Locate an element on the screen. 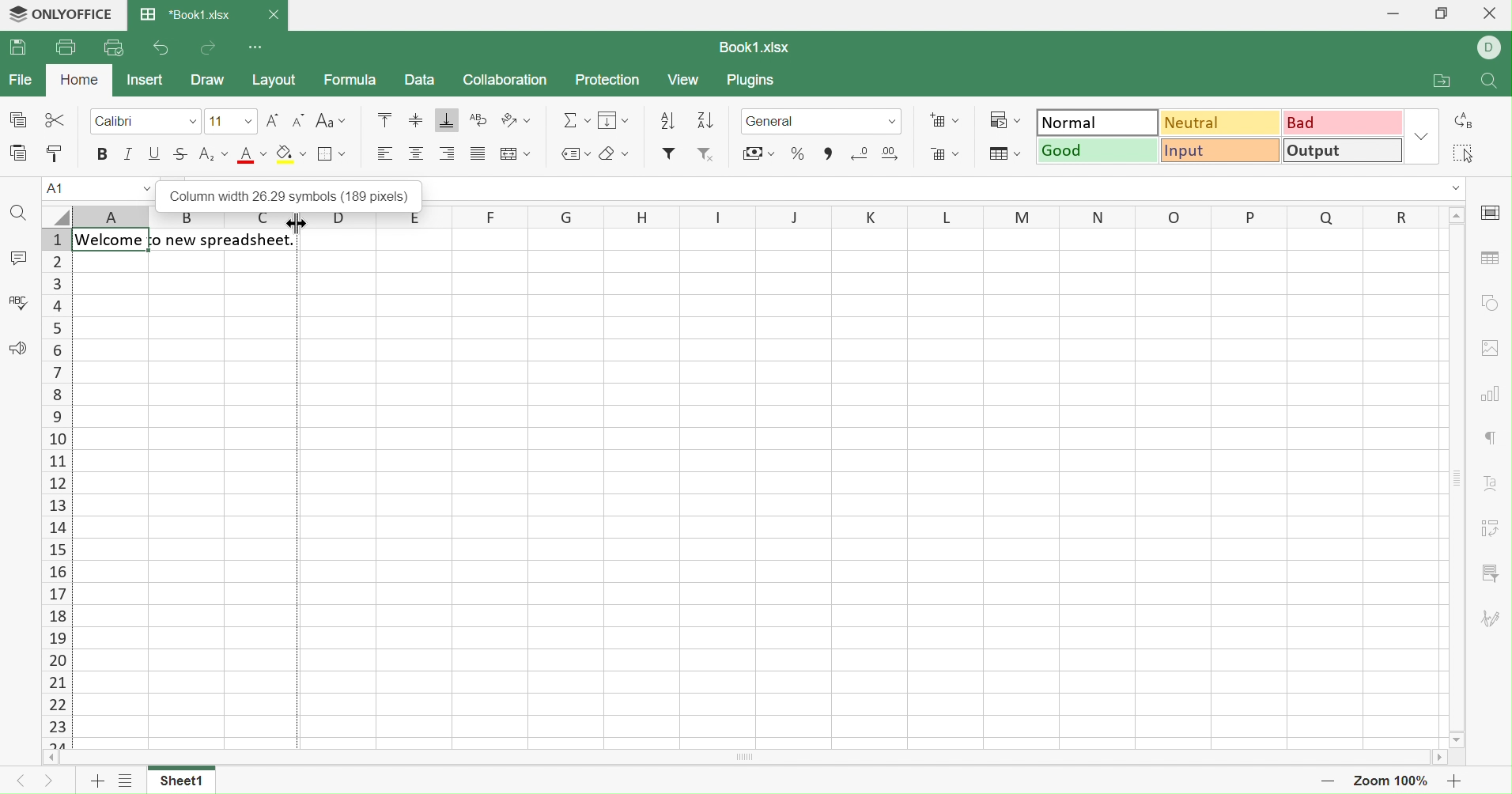 This screenshot has width=1512, height=794. Scroll Bar is located at coordinates (749, 758).